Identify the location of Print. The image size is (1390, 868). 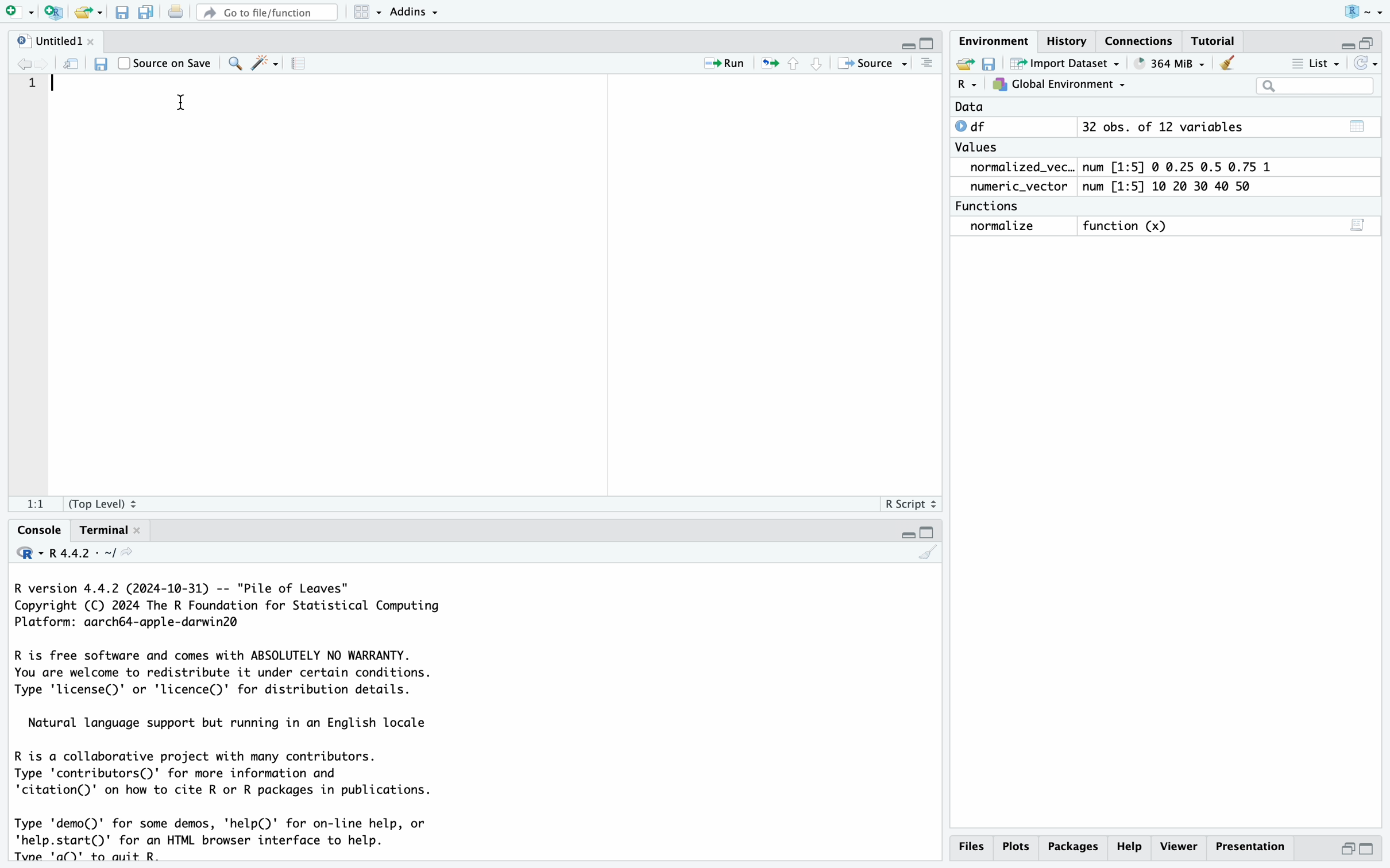
(175, 13).